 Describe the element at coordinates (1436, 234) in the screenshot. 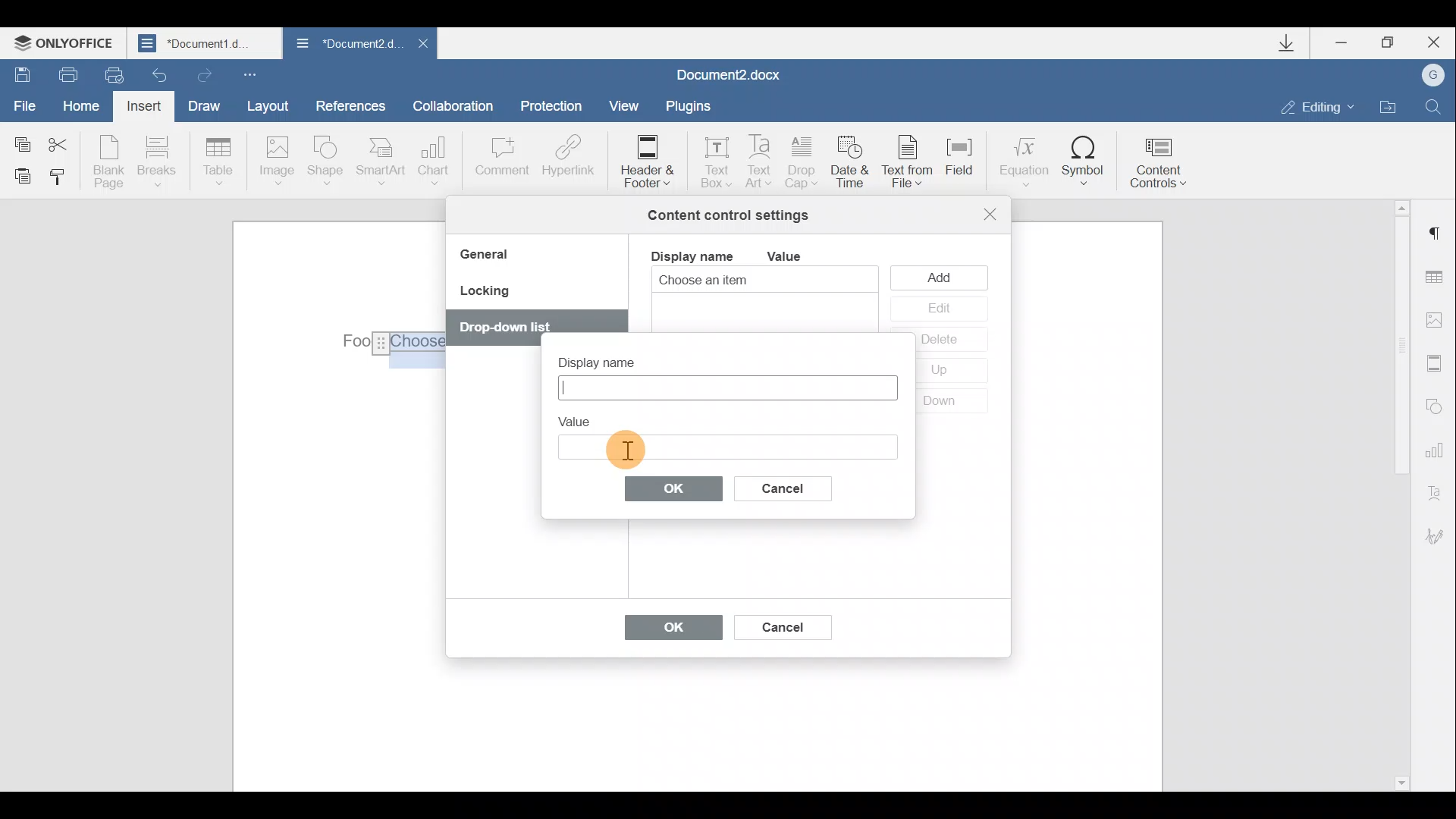

I see `Paragraph settings` at that location.